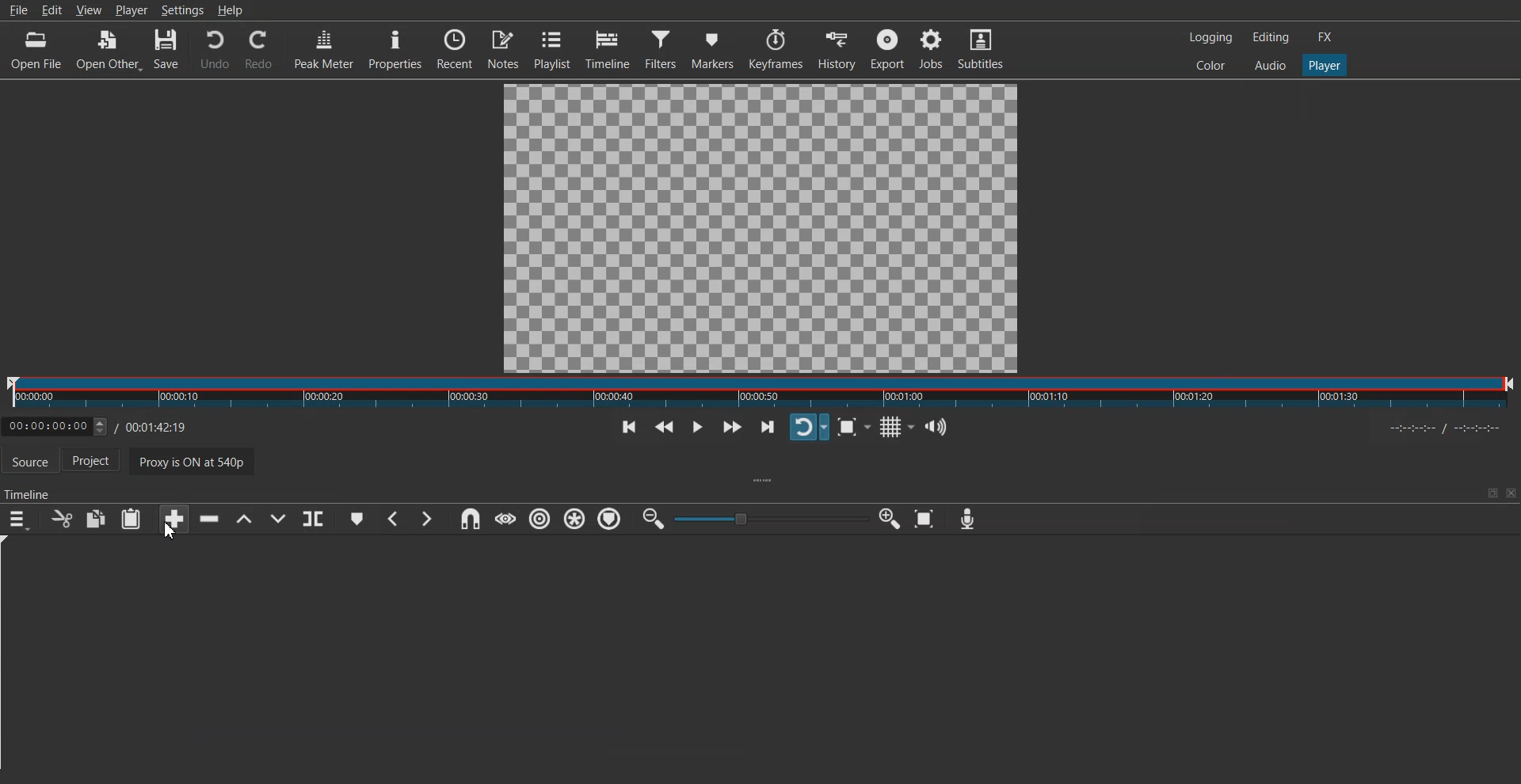 Image resolution: width=1521 pixels, height=784 pixels. Describe the element at coordinates (776, 49) in the screenshot. I see `Keyframes` at that location.